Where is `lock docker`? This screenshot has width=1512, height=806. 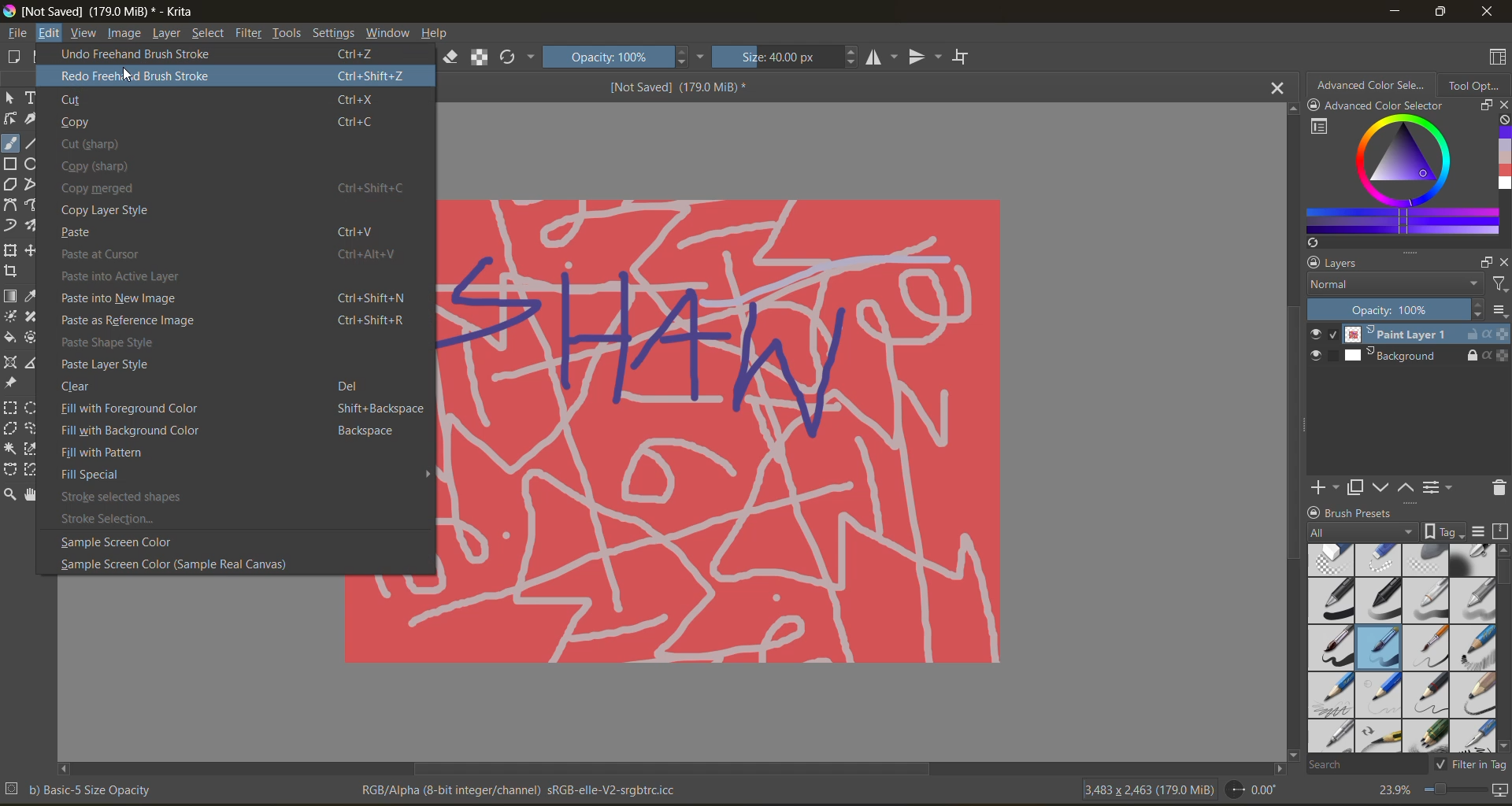 lock docker is located at coordinates (1316, 512).